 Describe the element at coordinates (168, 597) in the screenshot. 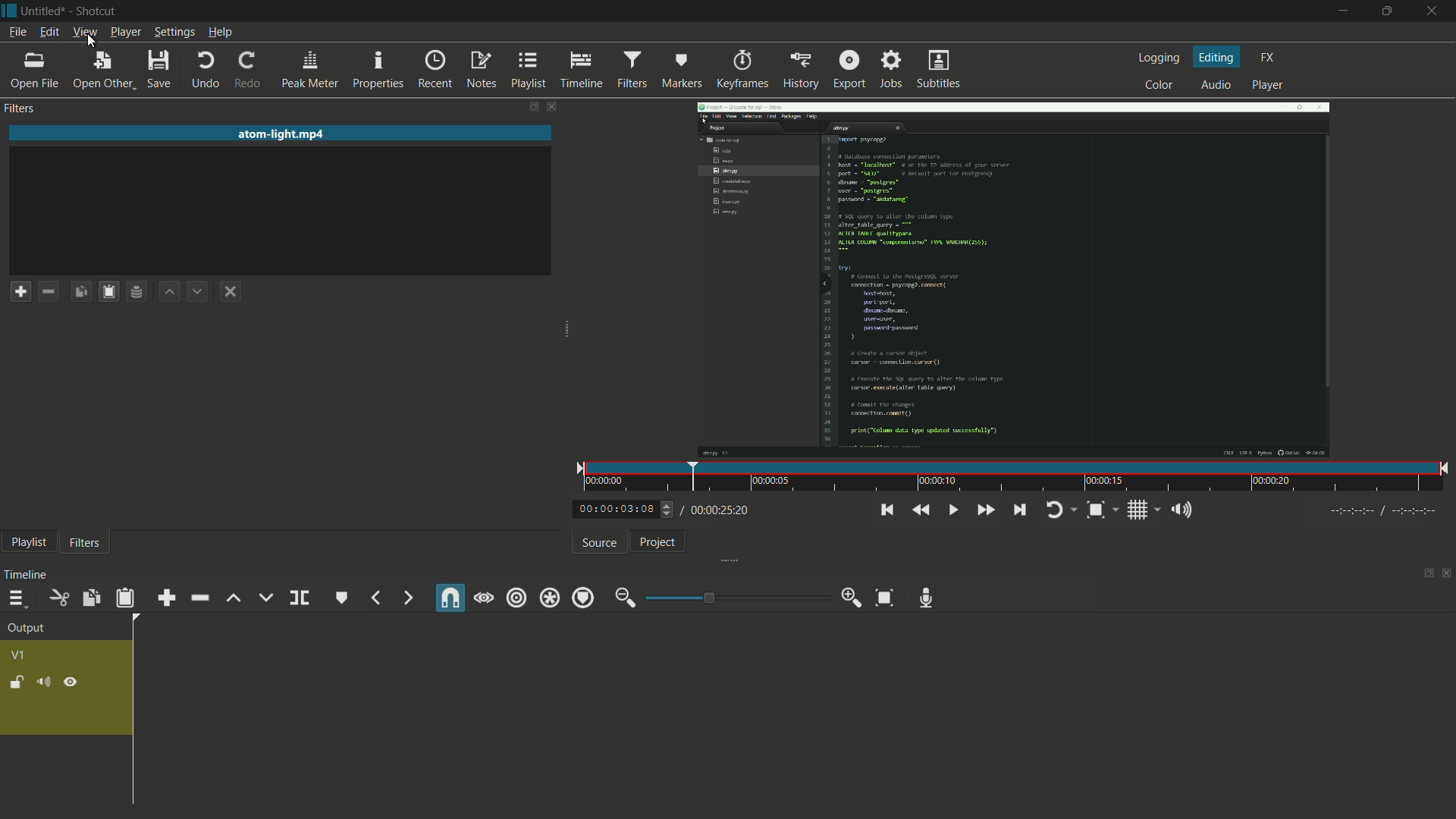

I see `append` at that location.